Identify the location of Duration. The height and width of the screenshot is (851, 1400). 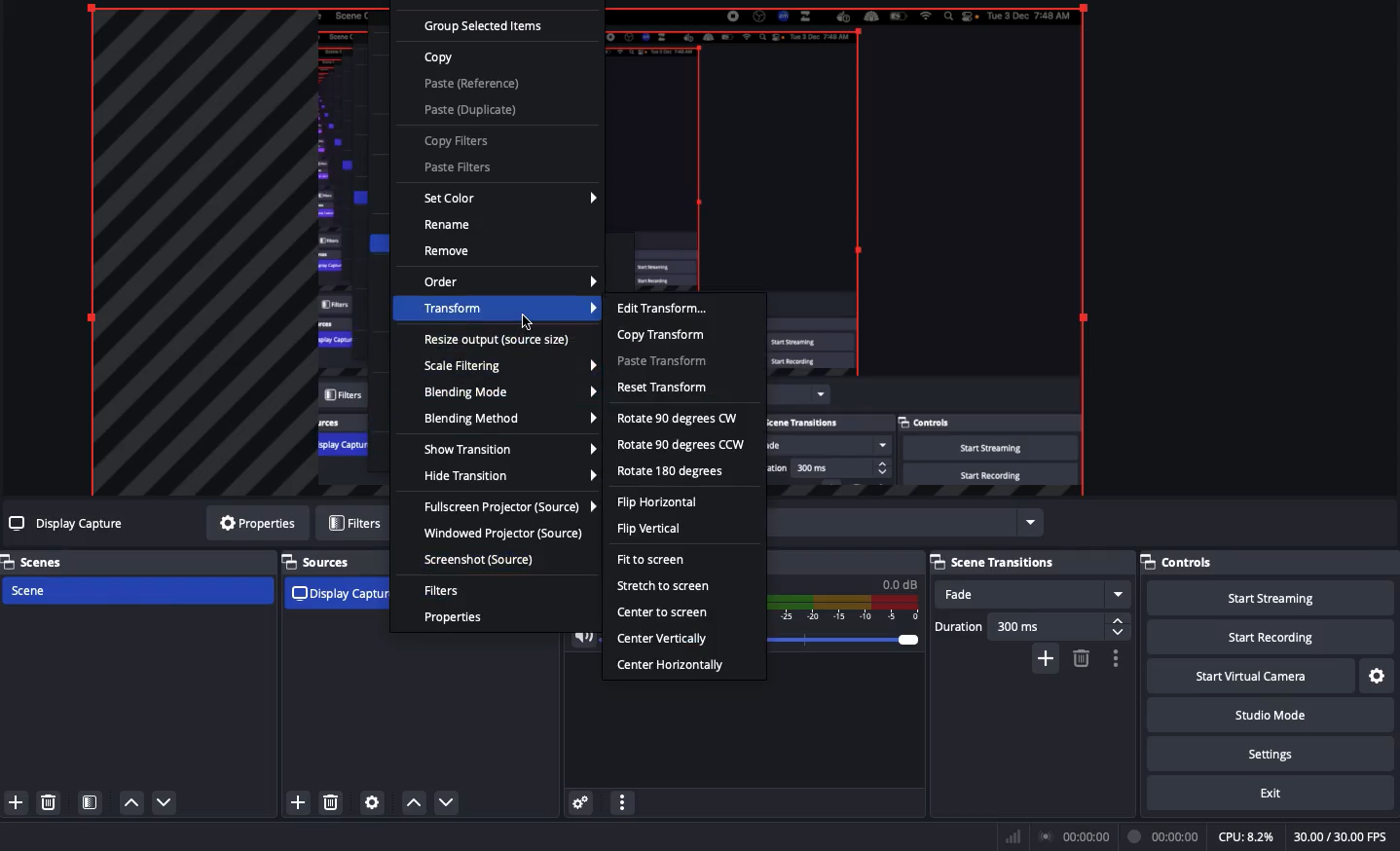
(1029, 627).